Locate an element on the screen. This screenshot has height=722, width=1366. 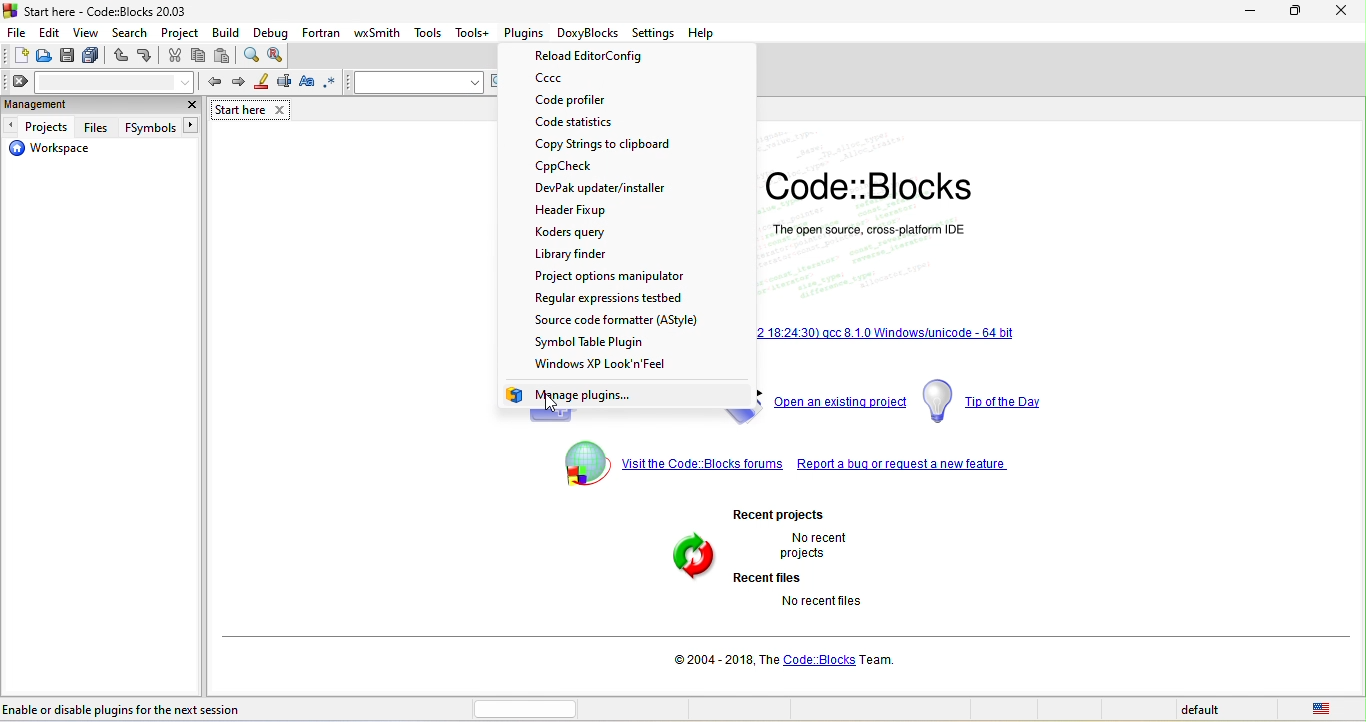
save everything is located at coordinates (93, 57).